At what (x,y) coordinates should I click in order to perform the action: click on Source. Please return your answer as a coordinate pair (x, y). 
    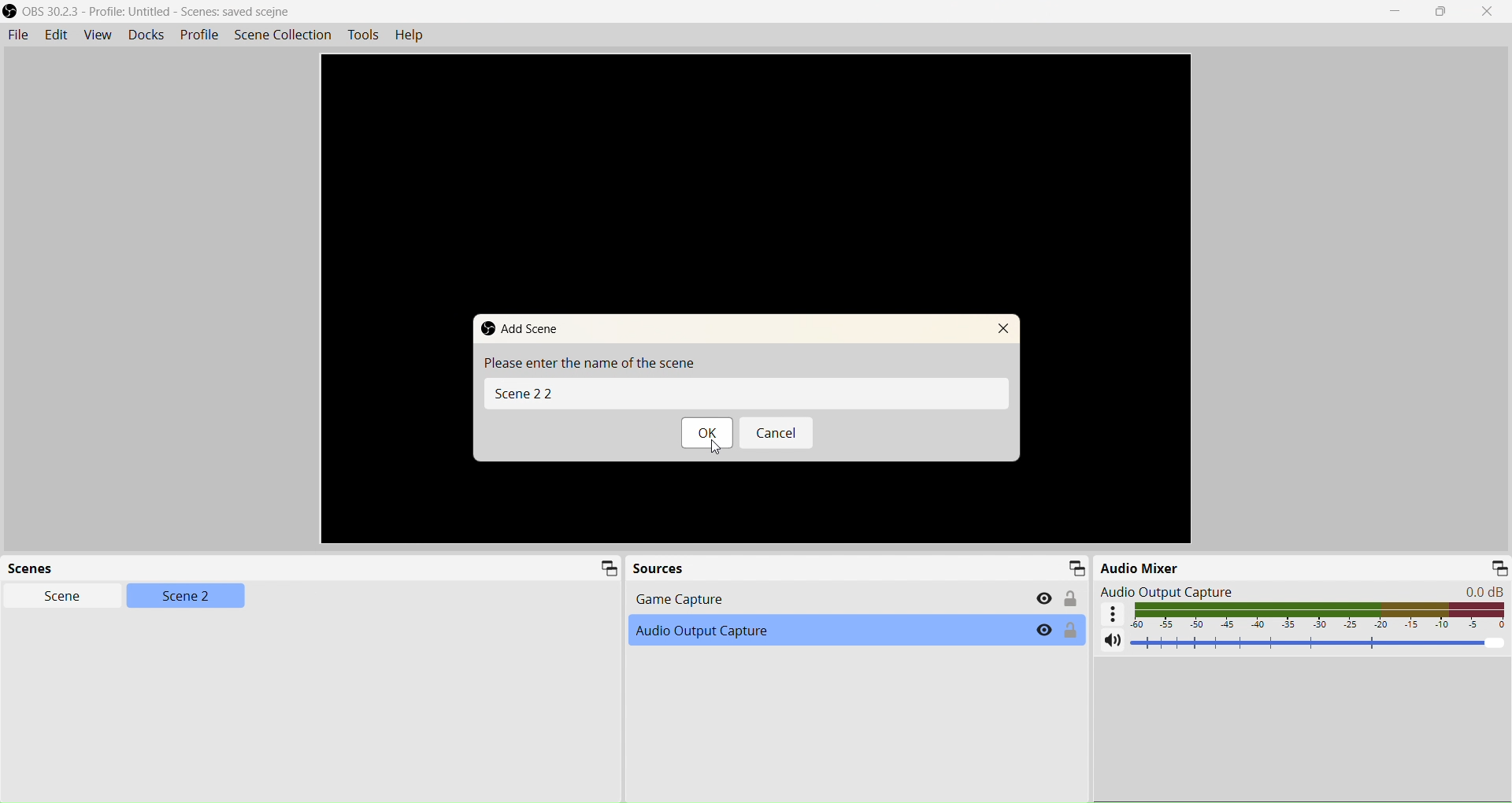
    Looking at the image, I should click on (658, 568).